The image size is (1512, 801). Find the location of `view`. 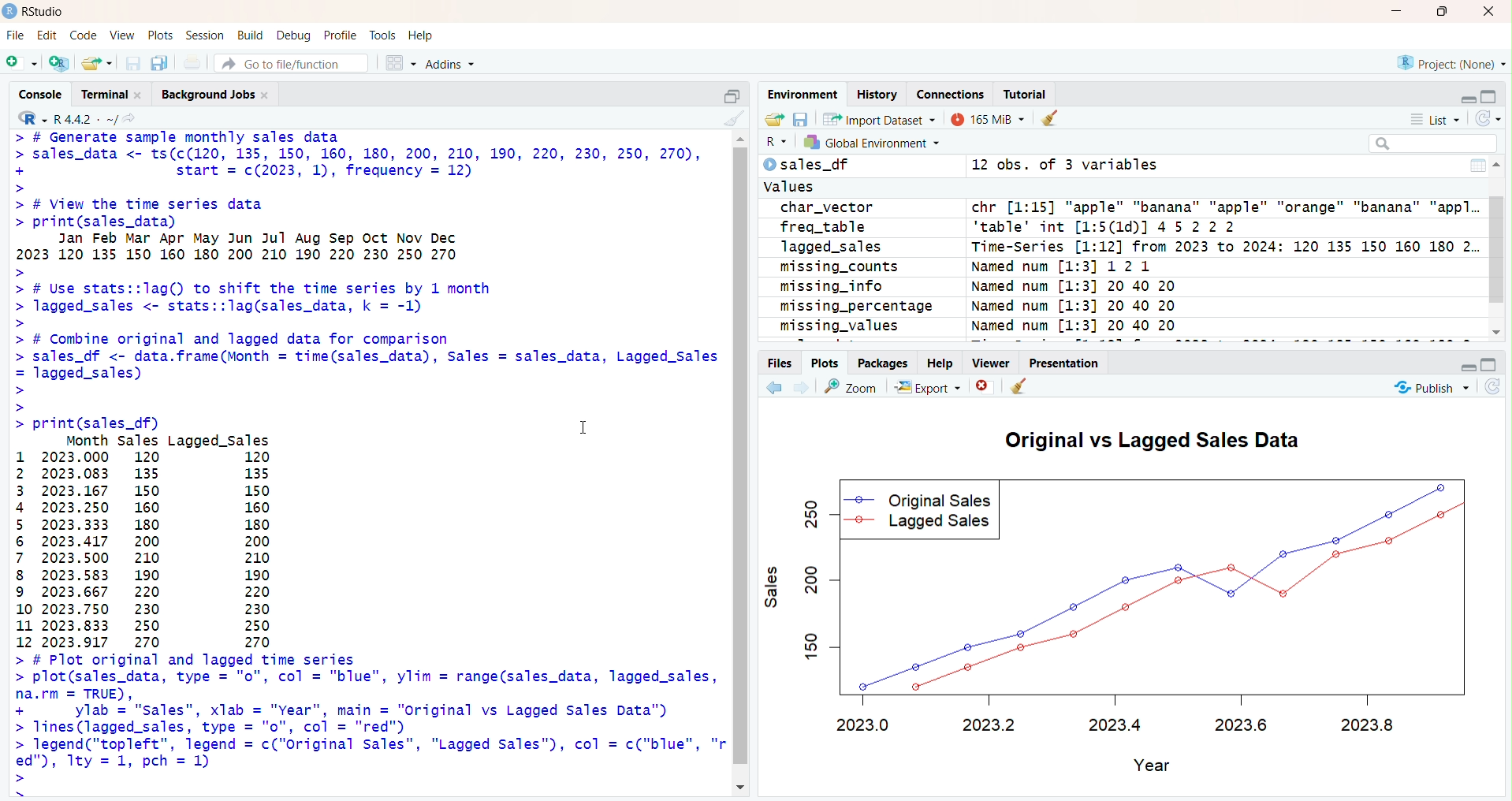

view is located at coordinates (121, 35).